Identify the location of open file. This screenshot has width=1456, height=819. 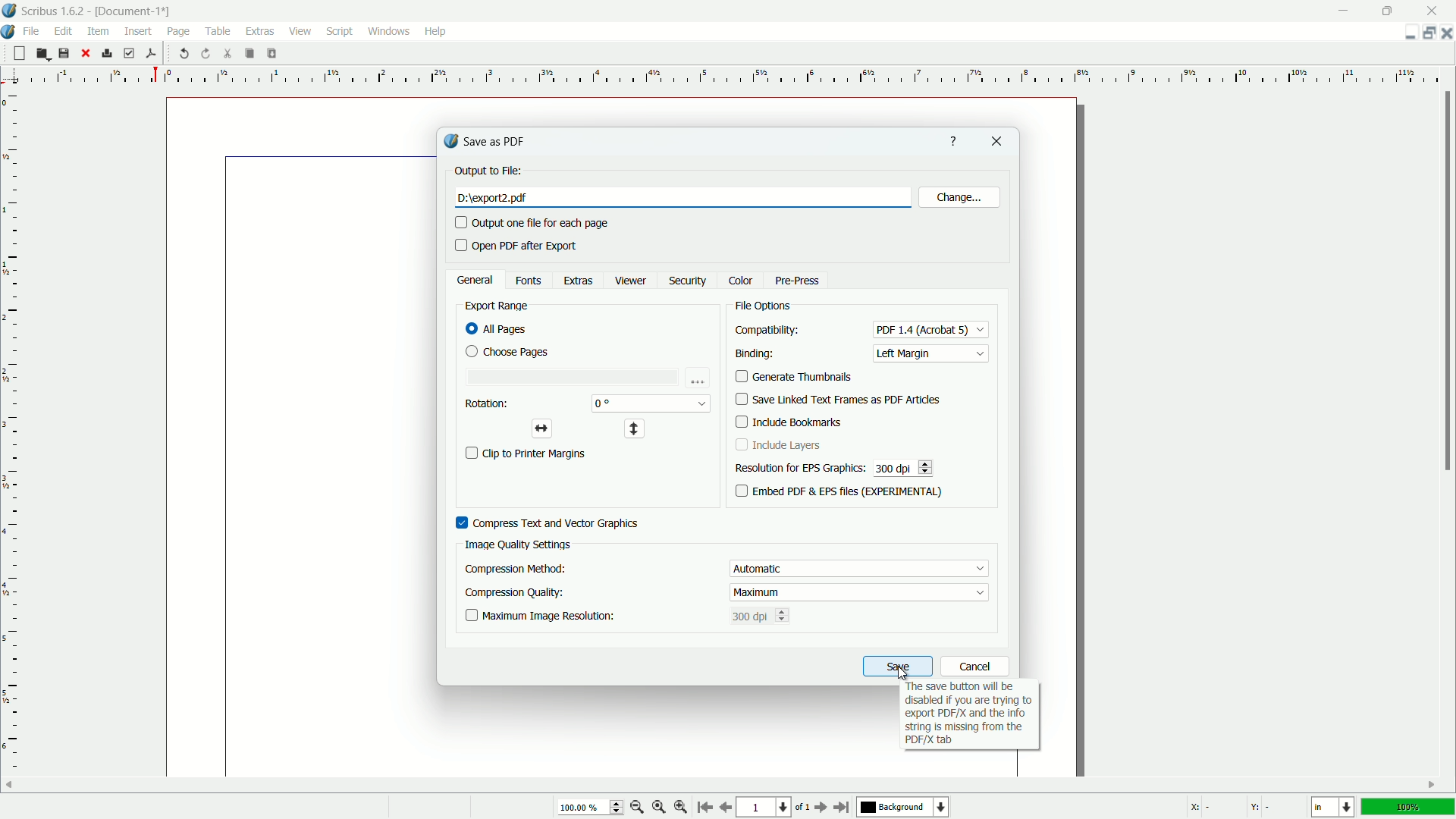
(43, 53).